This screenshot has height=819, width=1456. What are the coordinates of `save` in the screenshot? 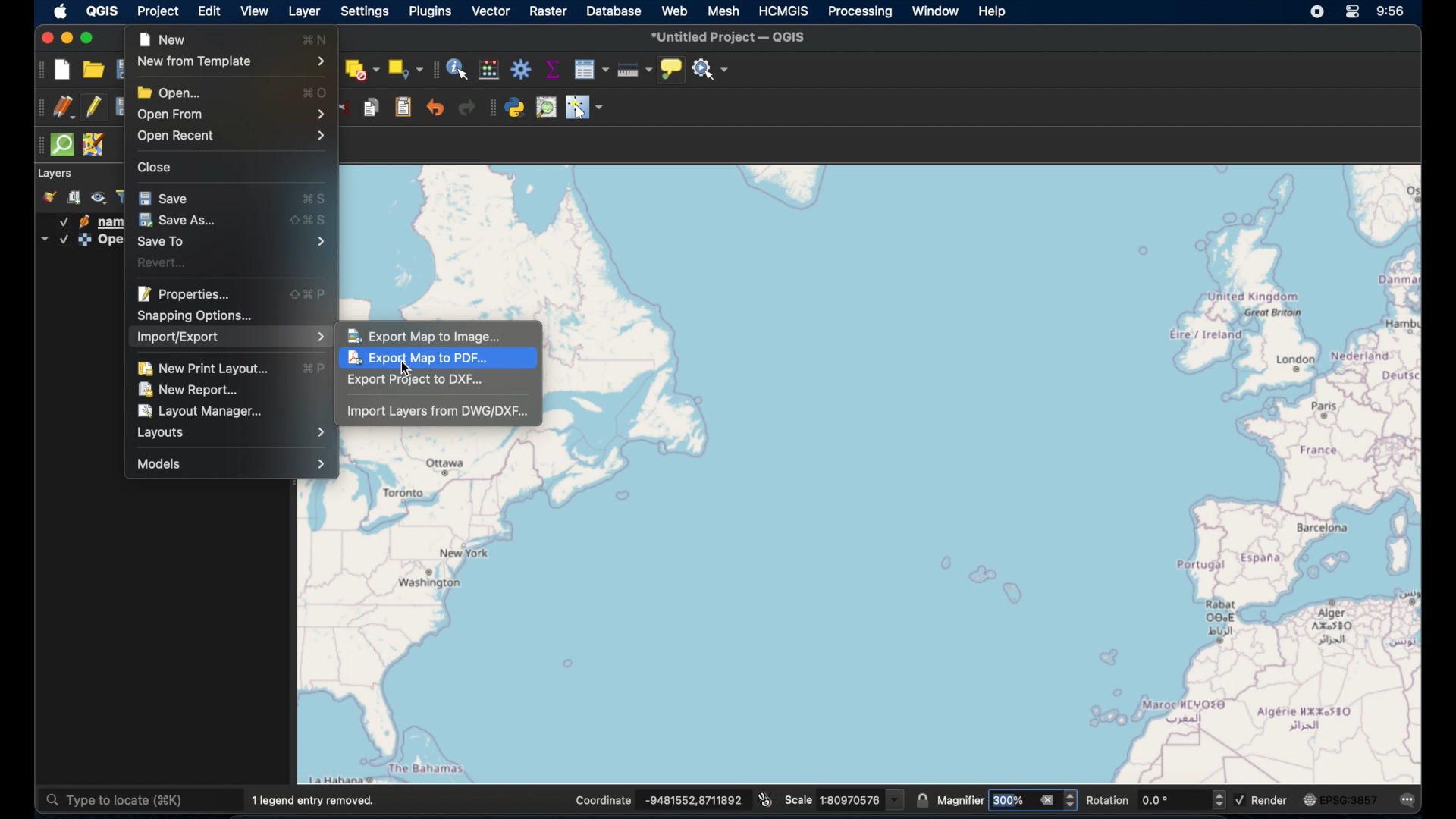 It's located at (165, 197).